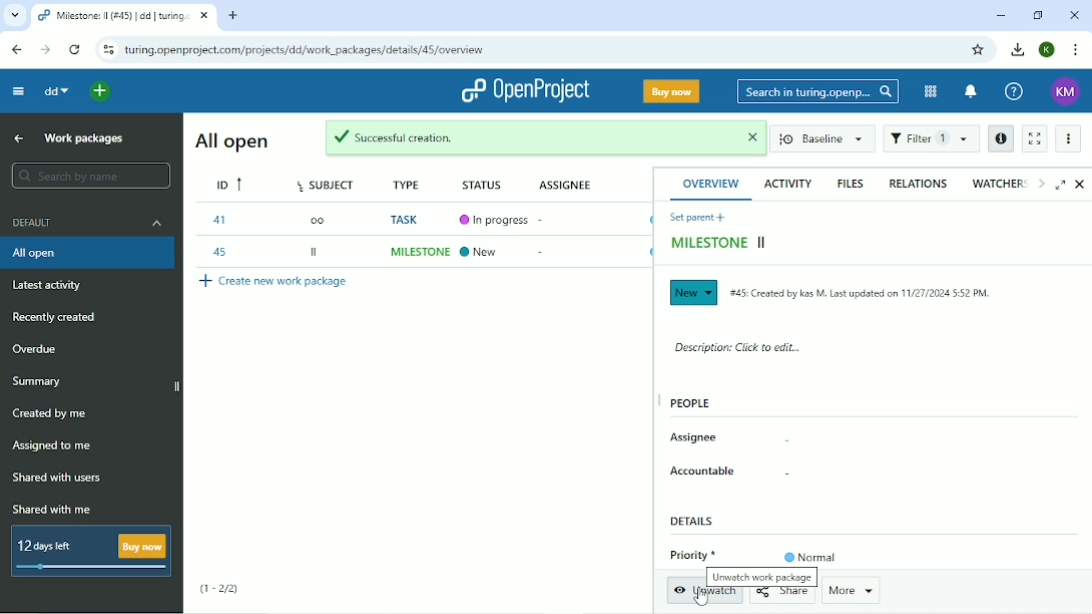  I want to click on oo, so click(317, 219).